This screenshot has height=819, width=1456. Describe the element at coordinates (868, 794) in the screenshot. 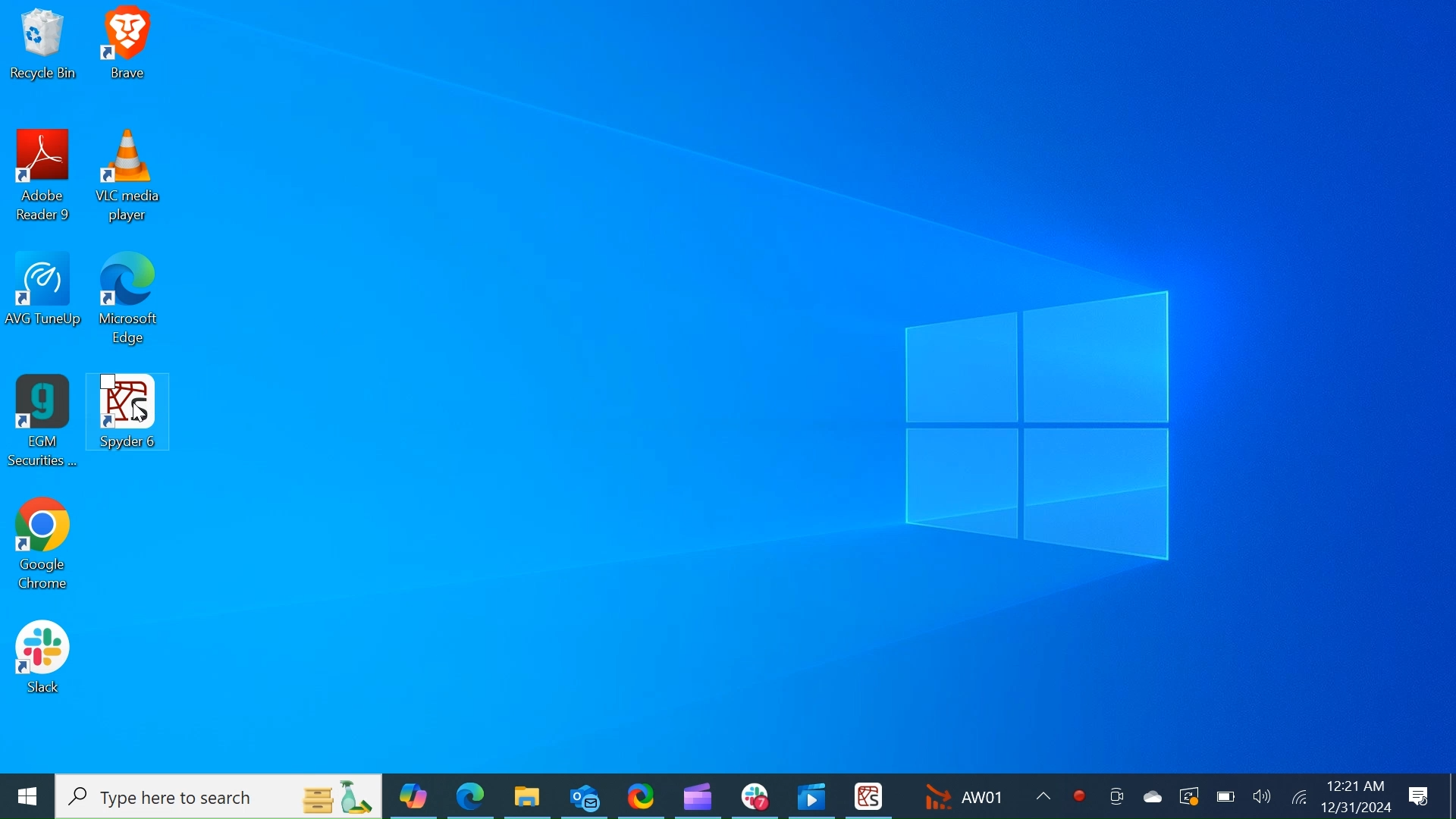

I see `Spyder Desktop Icon` at that location.